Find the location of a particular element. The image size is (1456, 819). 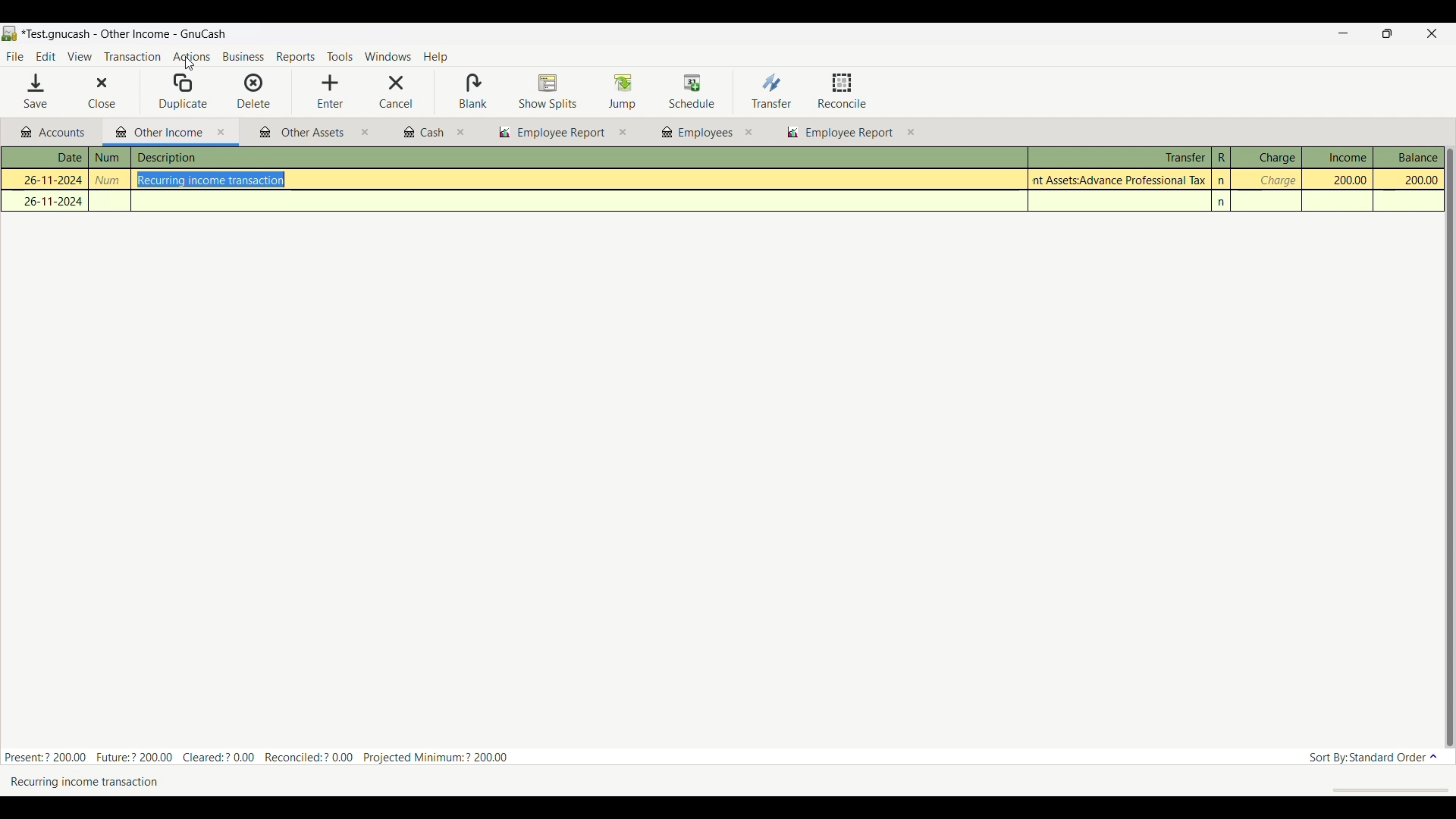

Windows menu is located at coordinates (388, 57).